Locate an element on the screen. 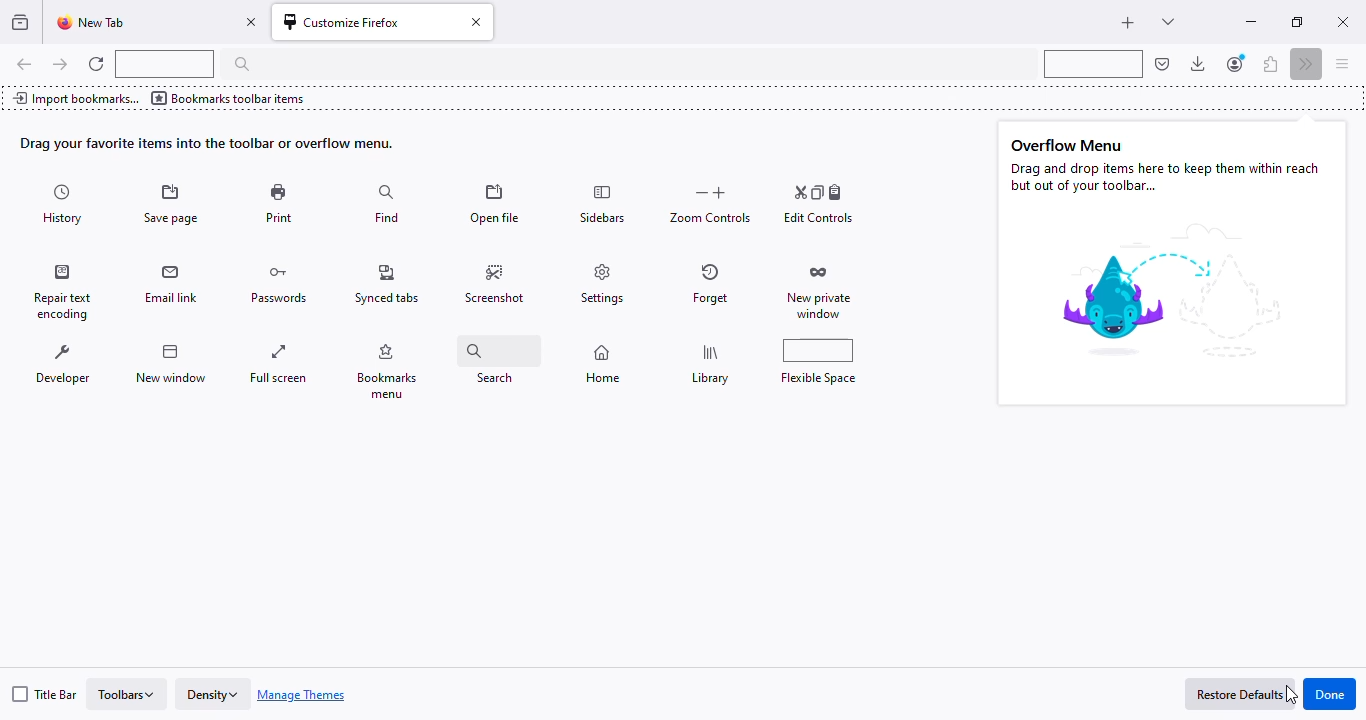 Image resolution: width=1366 pixels, height=720 pixels. synced tabs is located at coordinates (387, 284).